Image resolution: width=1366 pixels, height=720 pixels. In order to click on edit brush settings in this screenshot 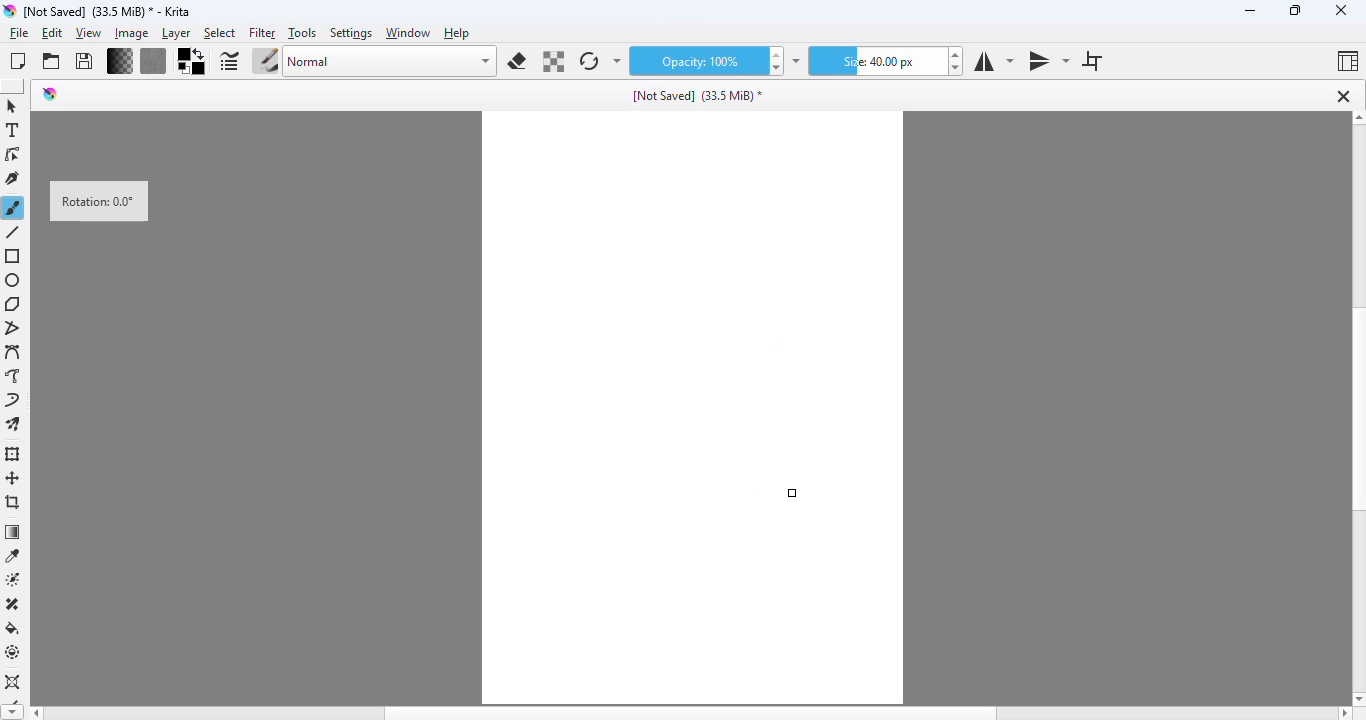, I will do `click(230, 60)`.